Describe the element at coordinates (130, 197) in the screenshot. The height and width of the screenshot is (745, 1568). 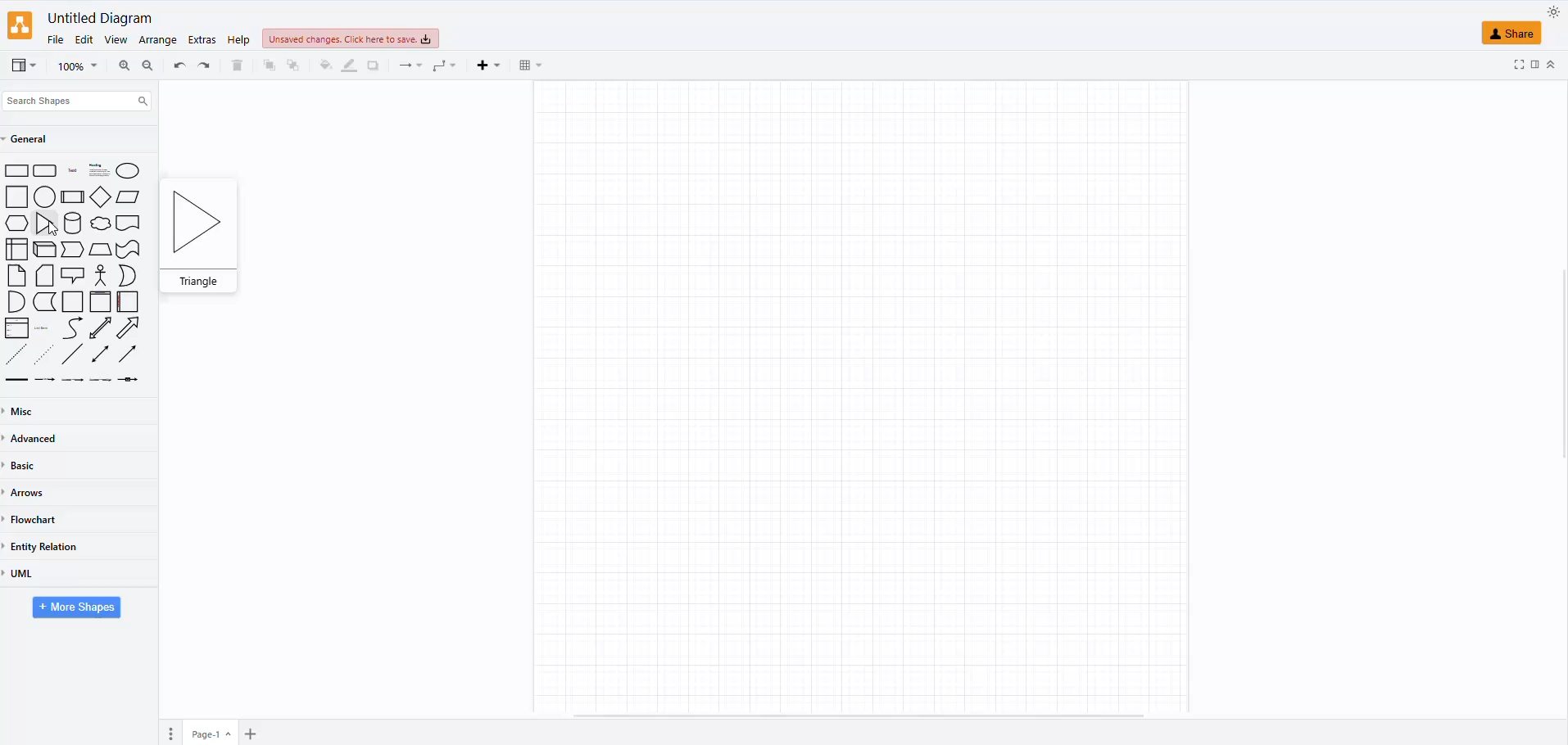
I see `Parallelogram` at that location.